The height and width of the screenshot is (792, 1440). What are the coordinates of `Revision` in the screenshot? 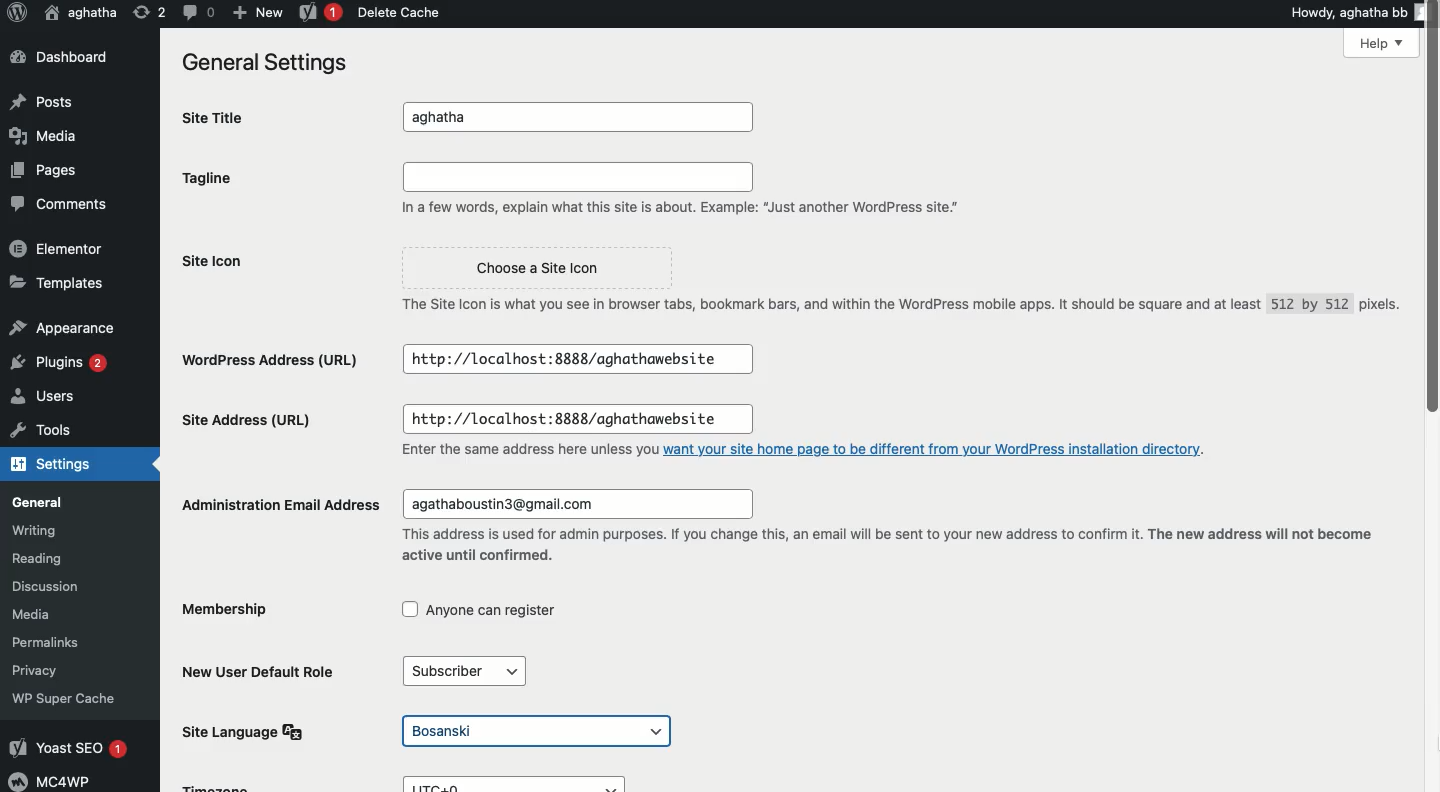 It's located at (145, 14).